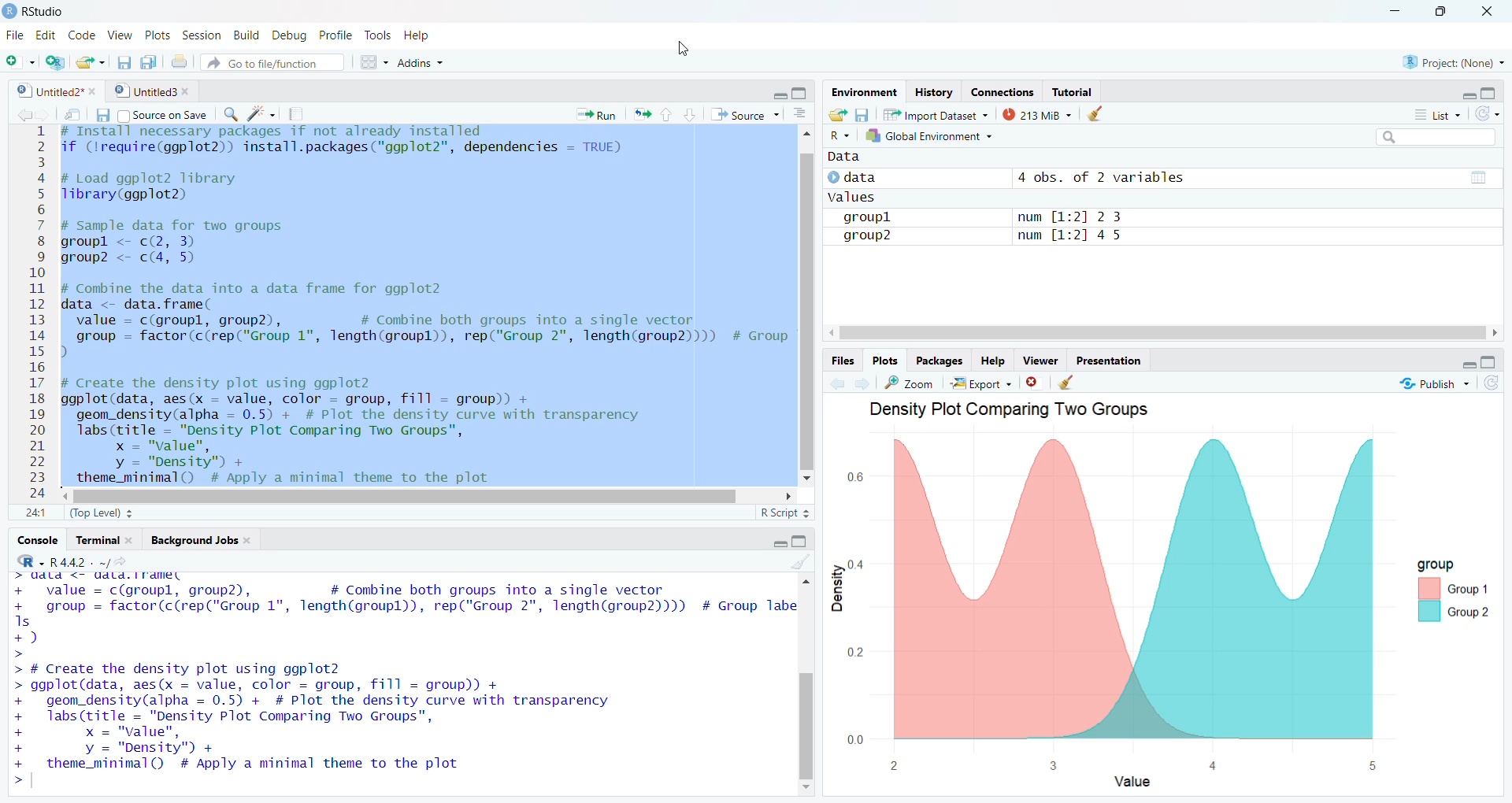 The height and width of the screenshot is (803, 1512). What do you see at coordinates (800, 542) in the screenshot?
I see `maximize` at bounding box center [800, 542].